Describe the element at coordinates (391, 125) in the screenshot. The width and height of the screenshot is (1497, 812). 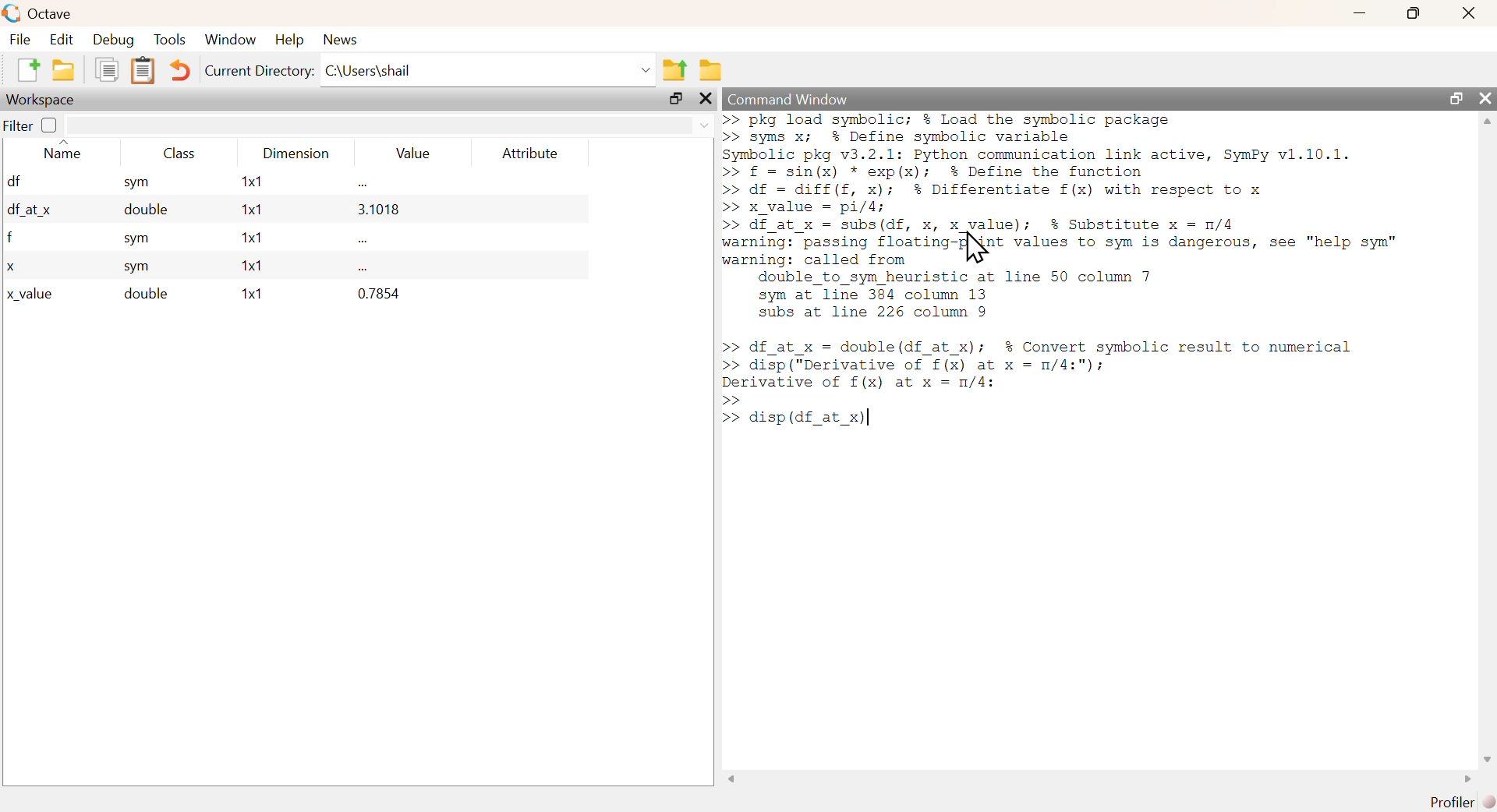
I see `search area` at that location.